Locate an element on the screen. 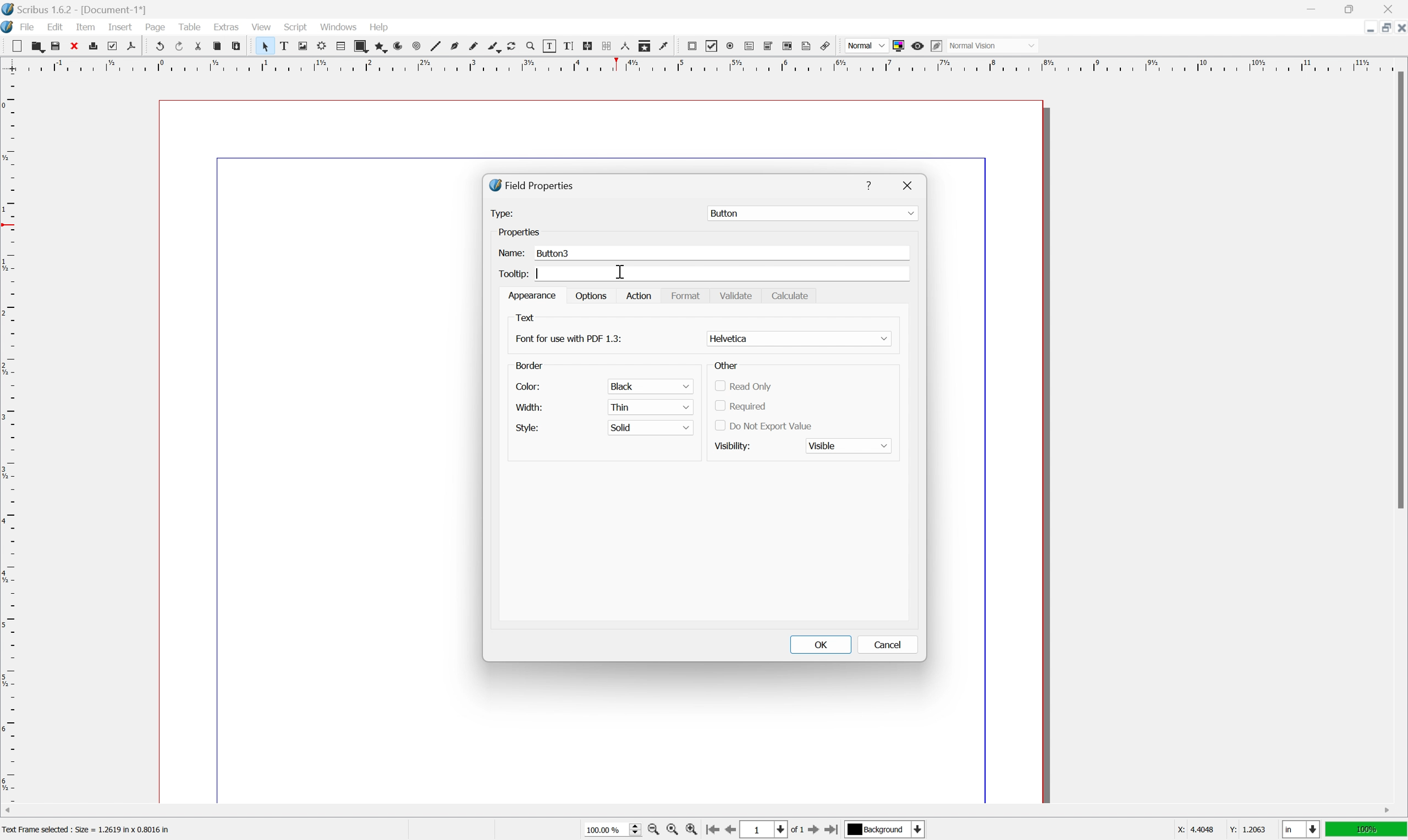 This screenshot has width=1408, height=840. bezier curve is located at coordinates (453, 46).